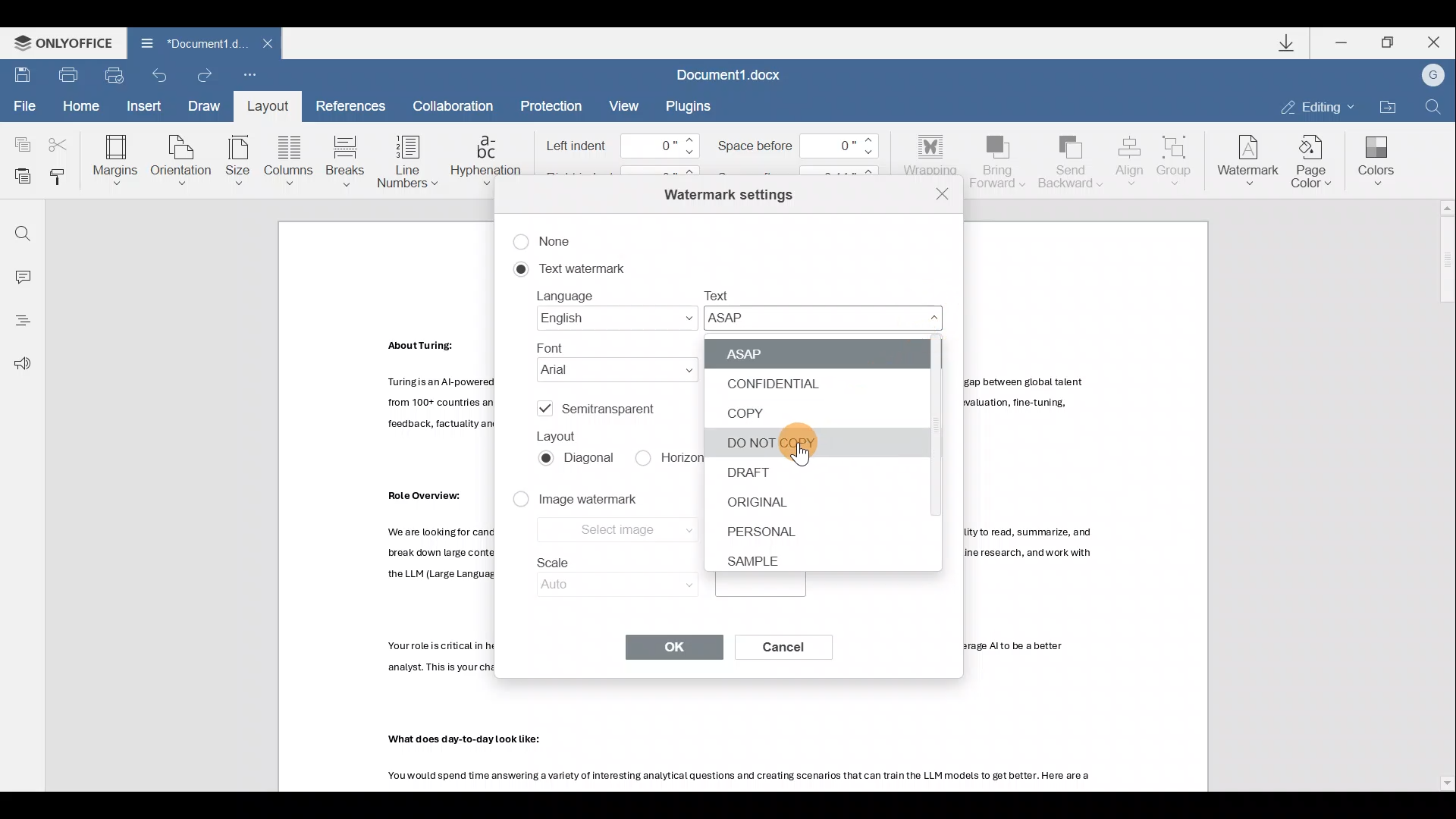 Image resolution: width=1456 pixels, height=819 pixels. I want to click on Scroll bar, so click(1441, 494).